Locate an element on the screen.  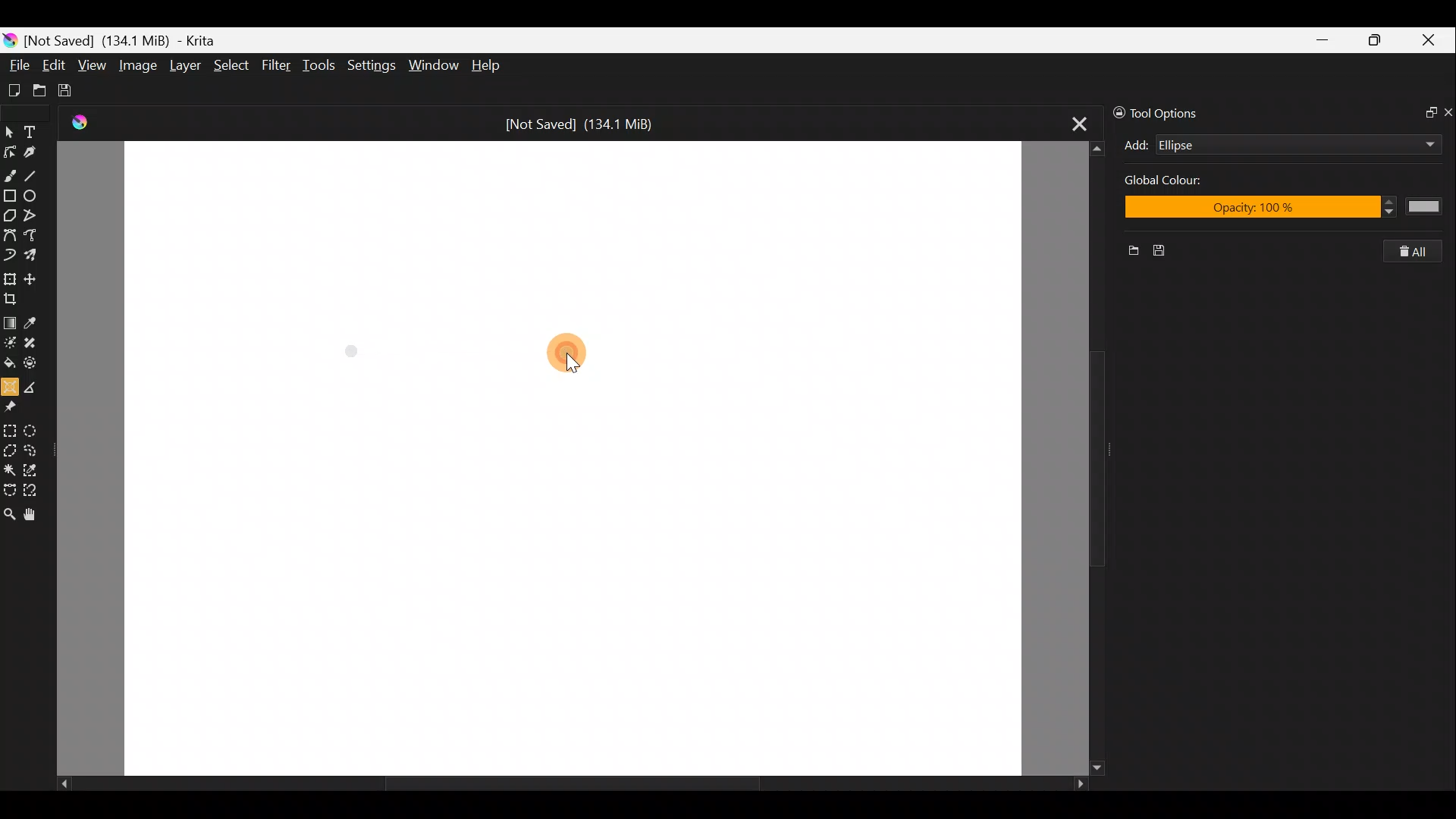
New is located at coordinates (1128, 253).